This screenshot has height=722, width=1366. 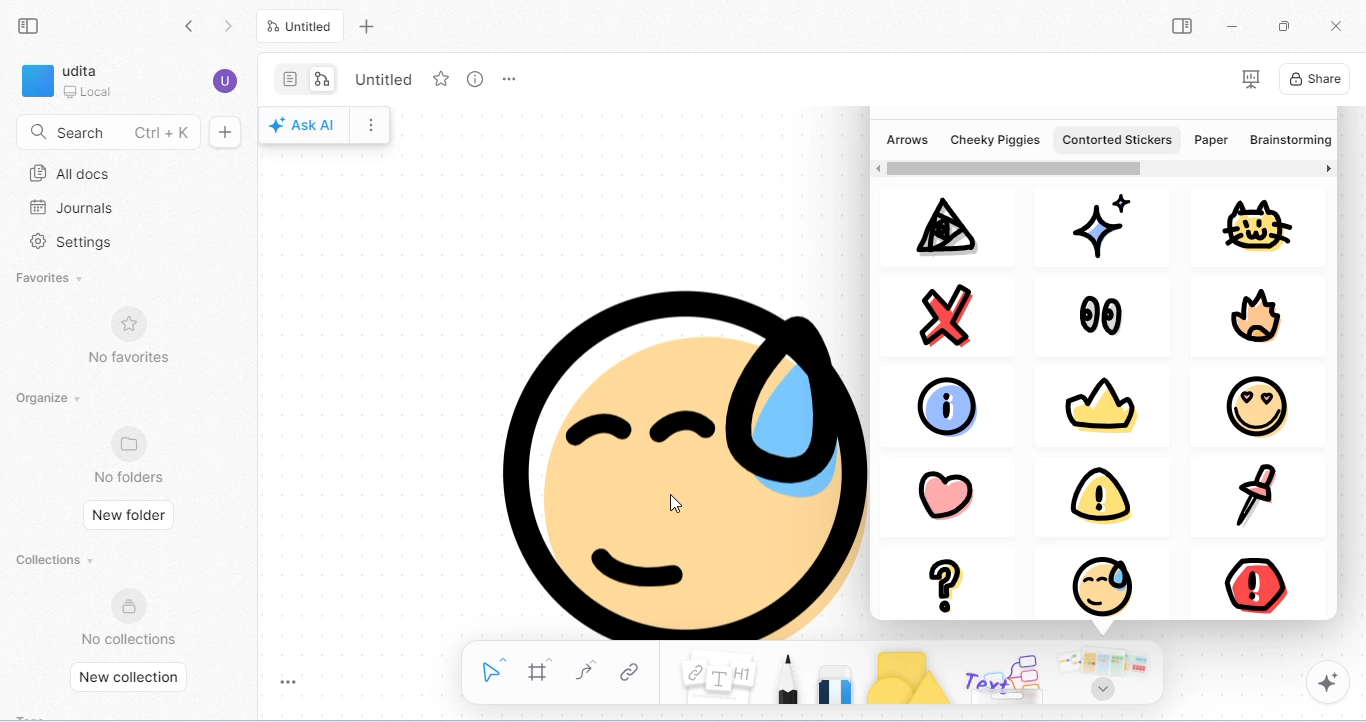 What do you see at coordinates (954, 314) in the screenshot?
I see `close` at bounding box center [954, 314].